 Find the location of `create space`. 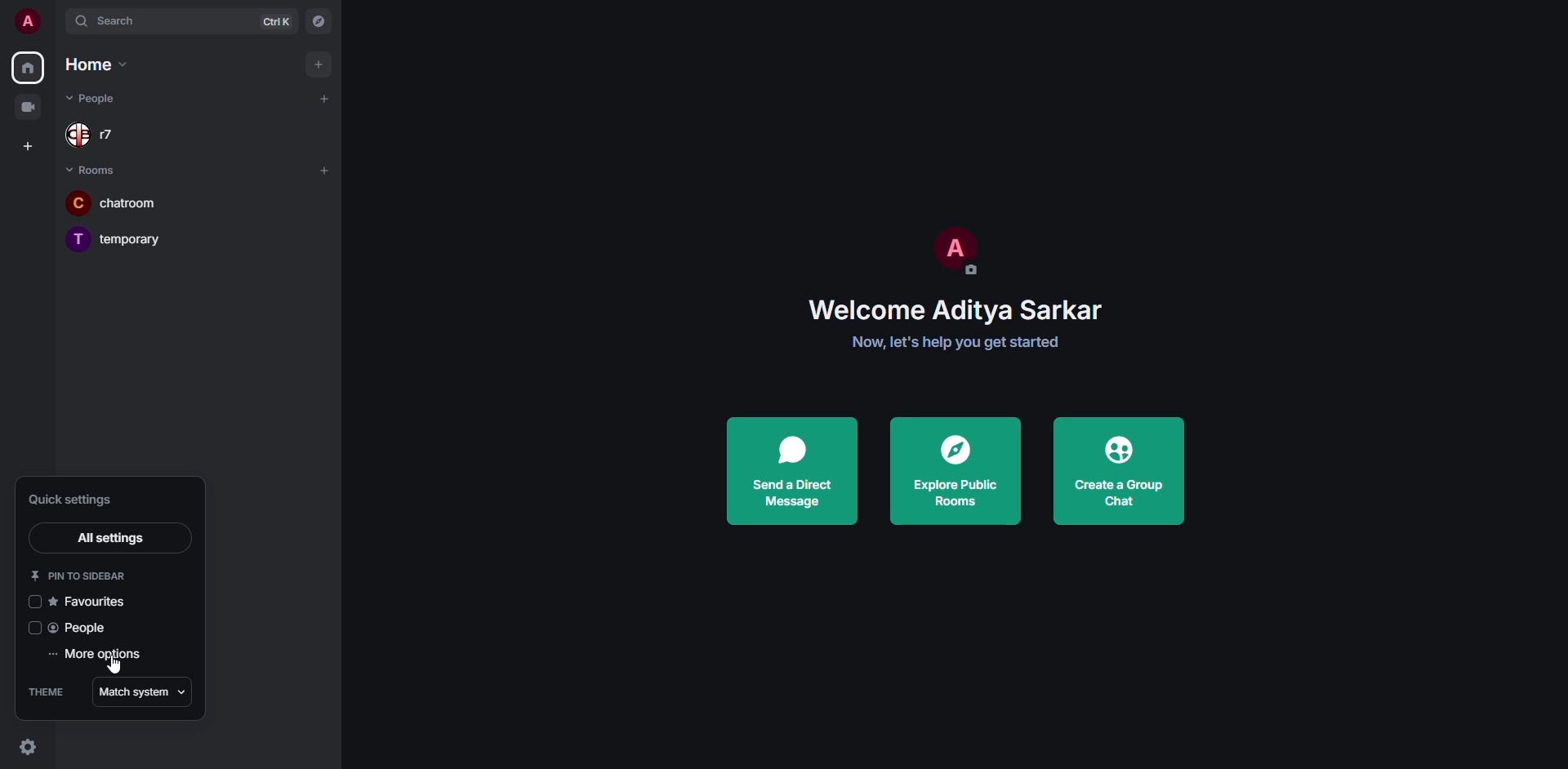

create space is located at coordinates (32, 145).